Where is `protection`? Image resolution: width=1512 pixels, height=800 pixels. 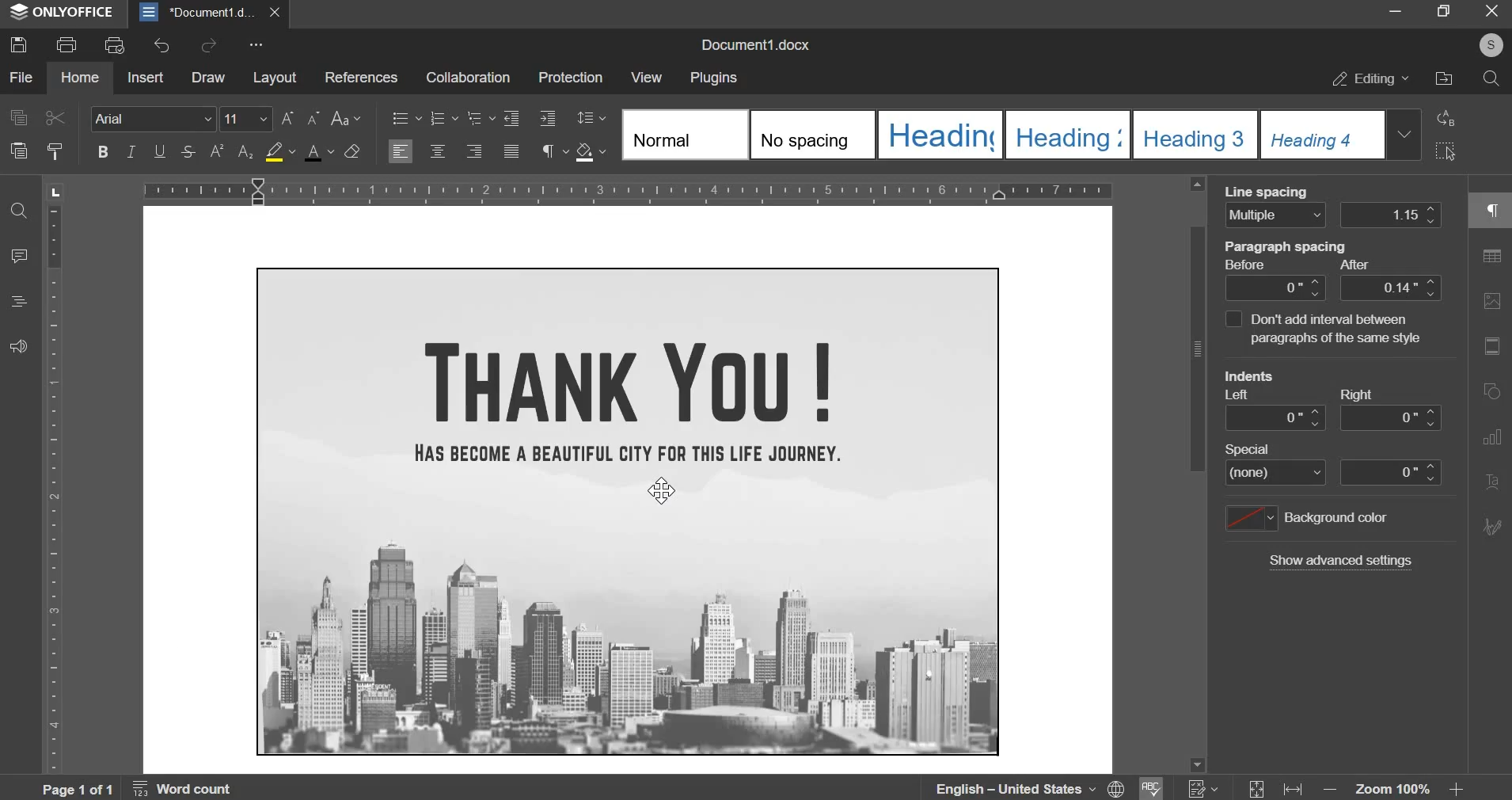
protection is located at coordinates (569, 79).